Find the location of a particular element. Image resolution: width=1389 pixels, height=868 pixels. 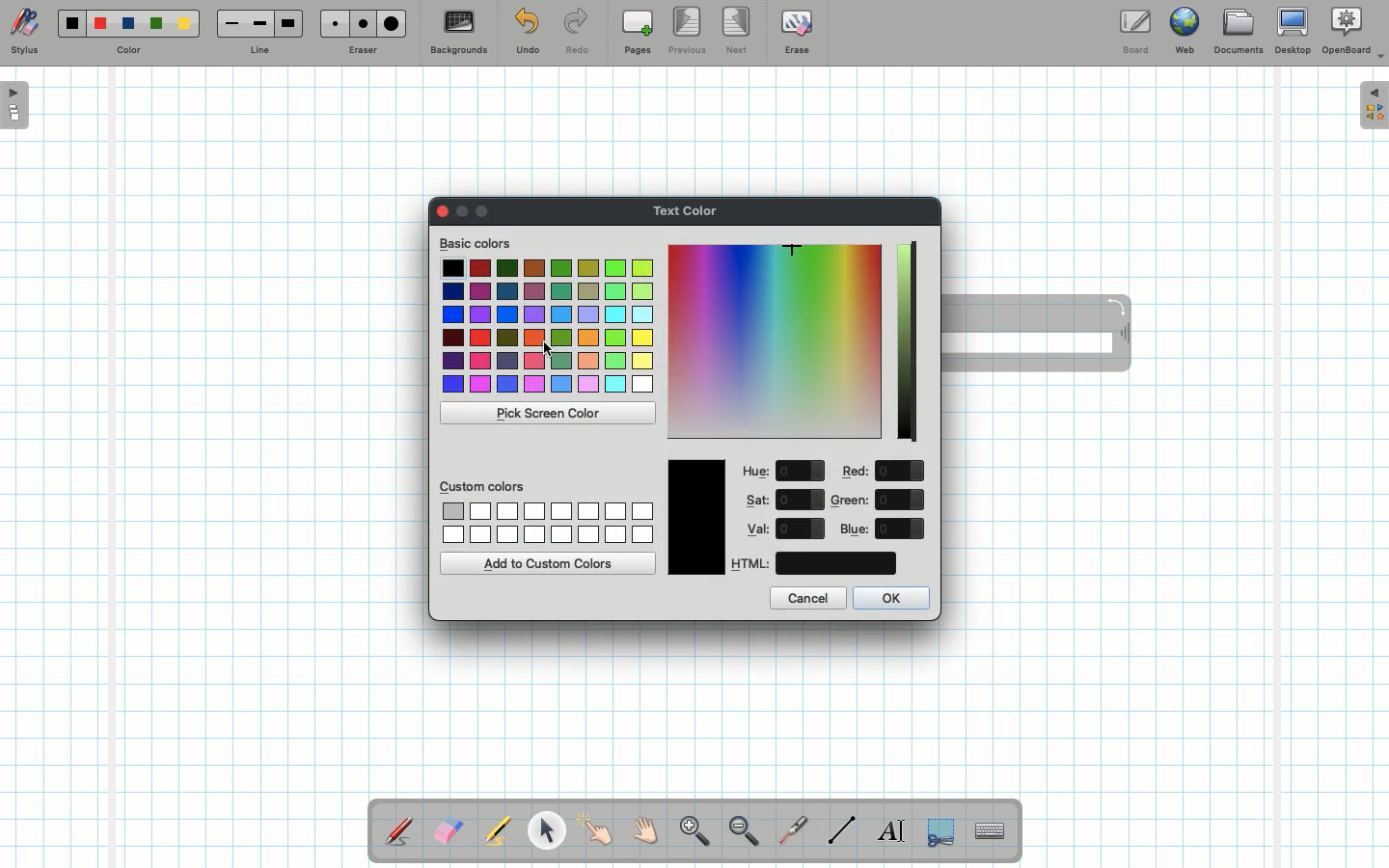

cursor is located at coordinates (547, 348).